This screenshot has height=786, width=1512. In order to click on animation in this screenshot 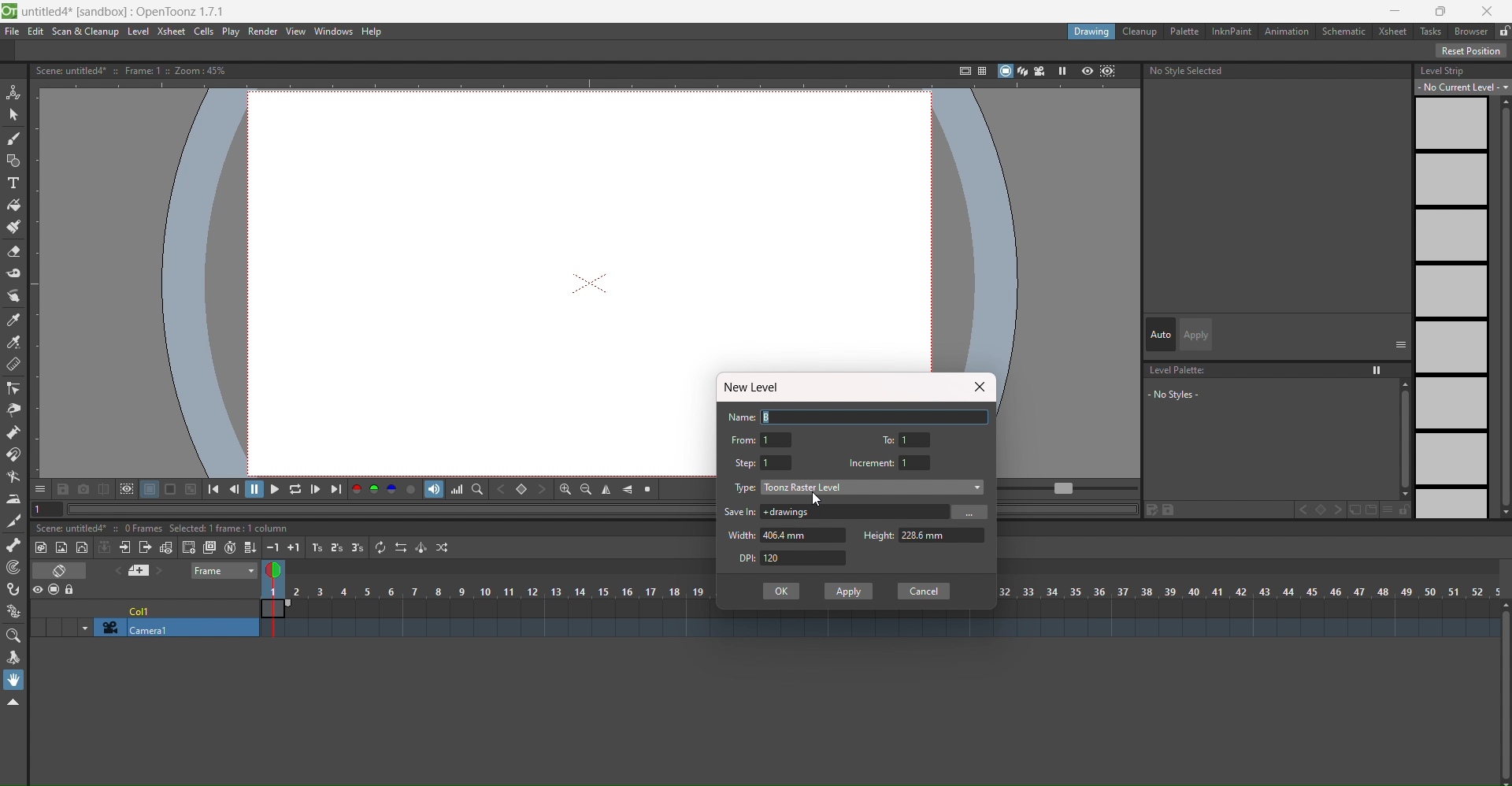, I will do `click(1288, 32)`.